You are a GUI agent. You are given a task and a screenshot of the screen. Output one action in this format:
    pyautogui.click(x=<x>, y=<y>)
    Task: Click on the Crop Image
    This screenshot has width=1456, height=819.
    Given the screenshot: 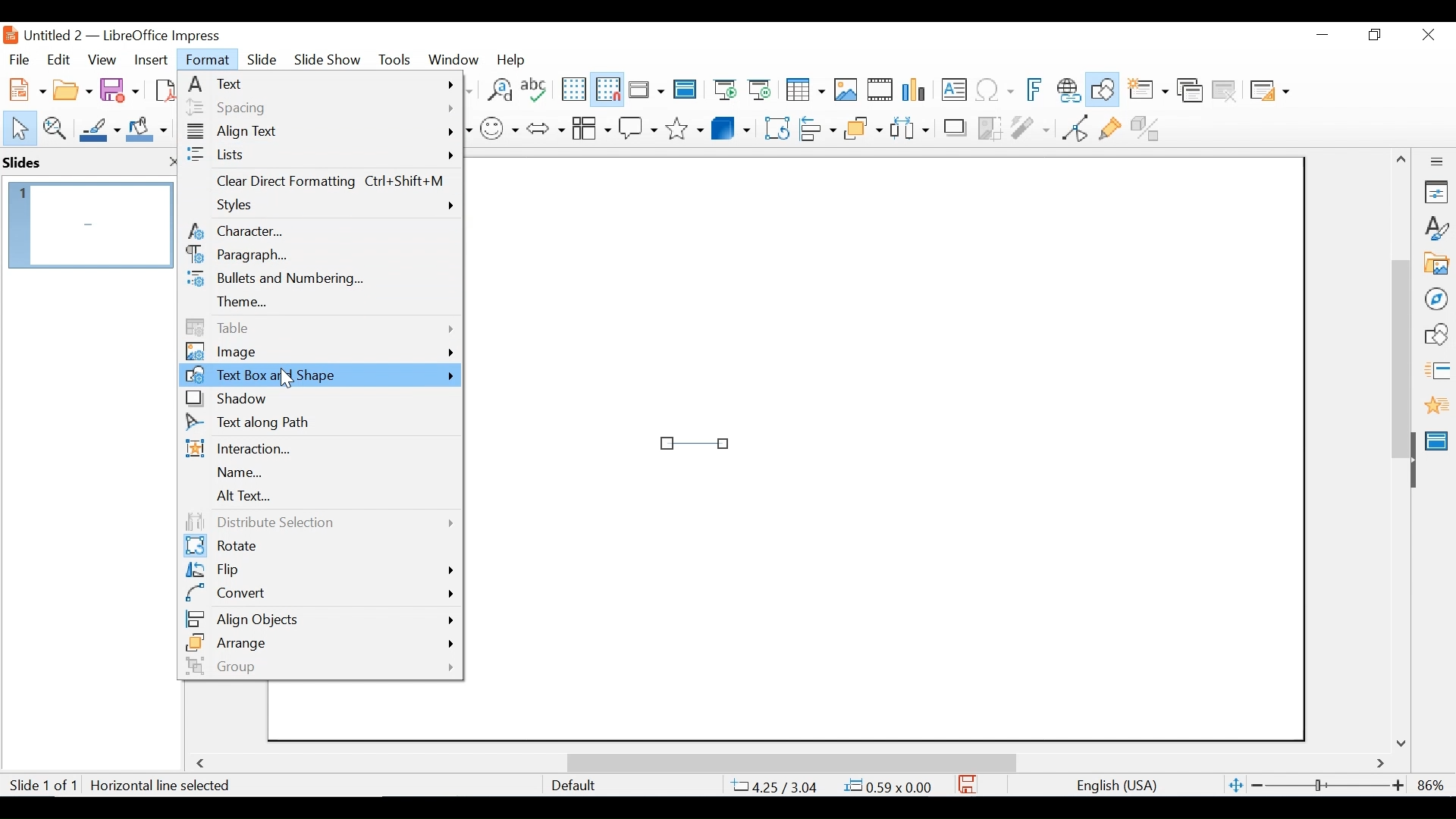 What is the action you would take?
    pyautogui.click(x=990, y=127)
    